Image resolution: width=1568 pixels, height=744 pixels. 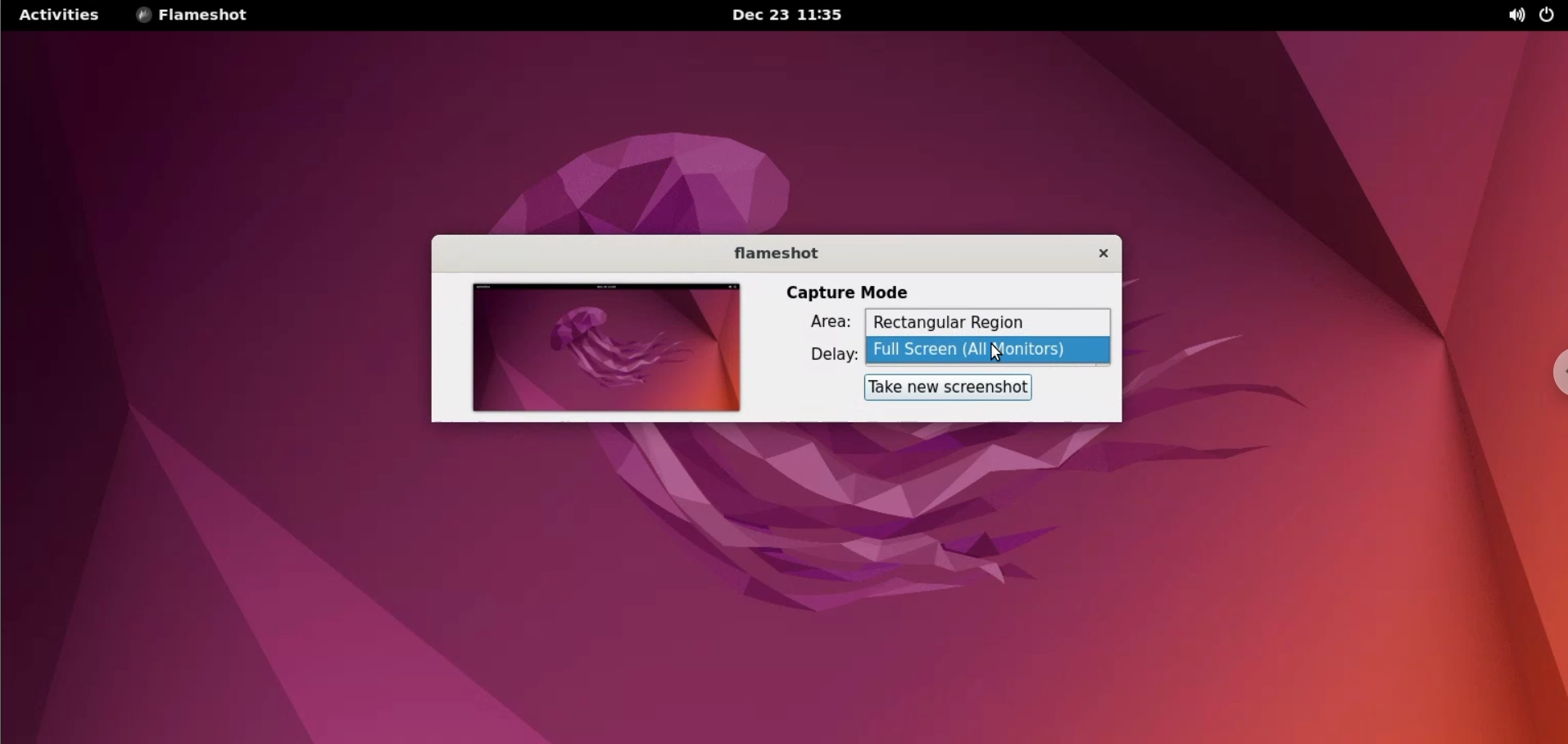 What do you see at coordinates (823, 324) in the screenshot?
I see `area:` at bounding box center [823, 324].